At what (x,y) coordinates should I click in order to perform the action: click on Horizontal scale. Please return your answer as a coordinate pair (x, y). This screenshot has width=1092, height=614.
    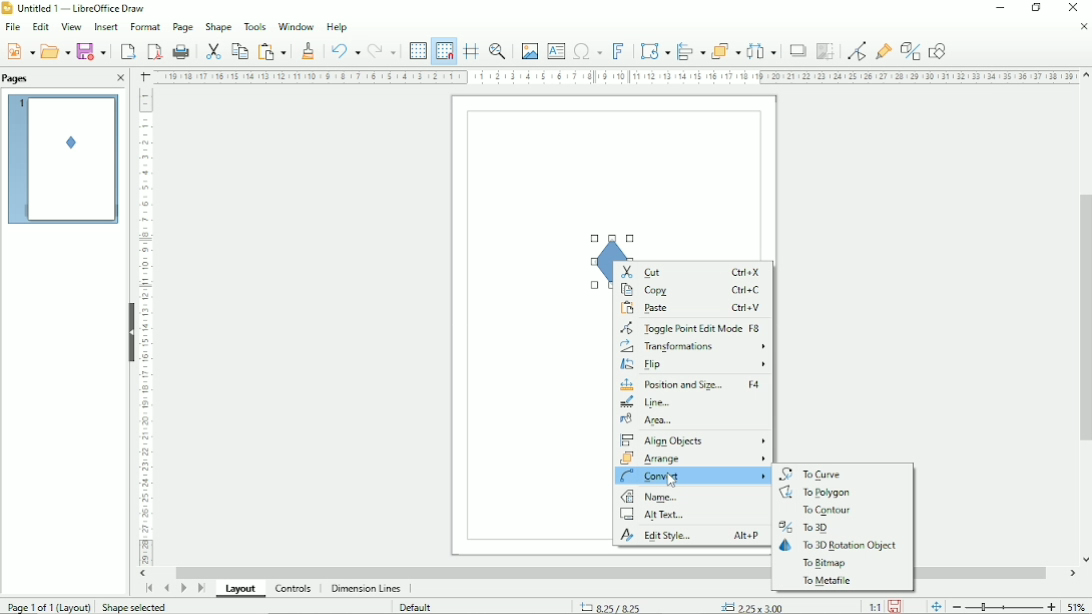
    Looking at the image, I should click on (612, 78).